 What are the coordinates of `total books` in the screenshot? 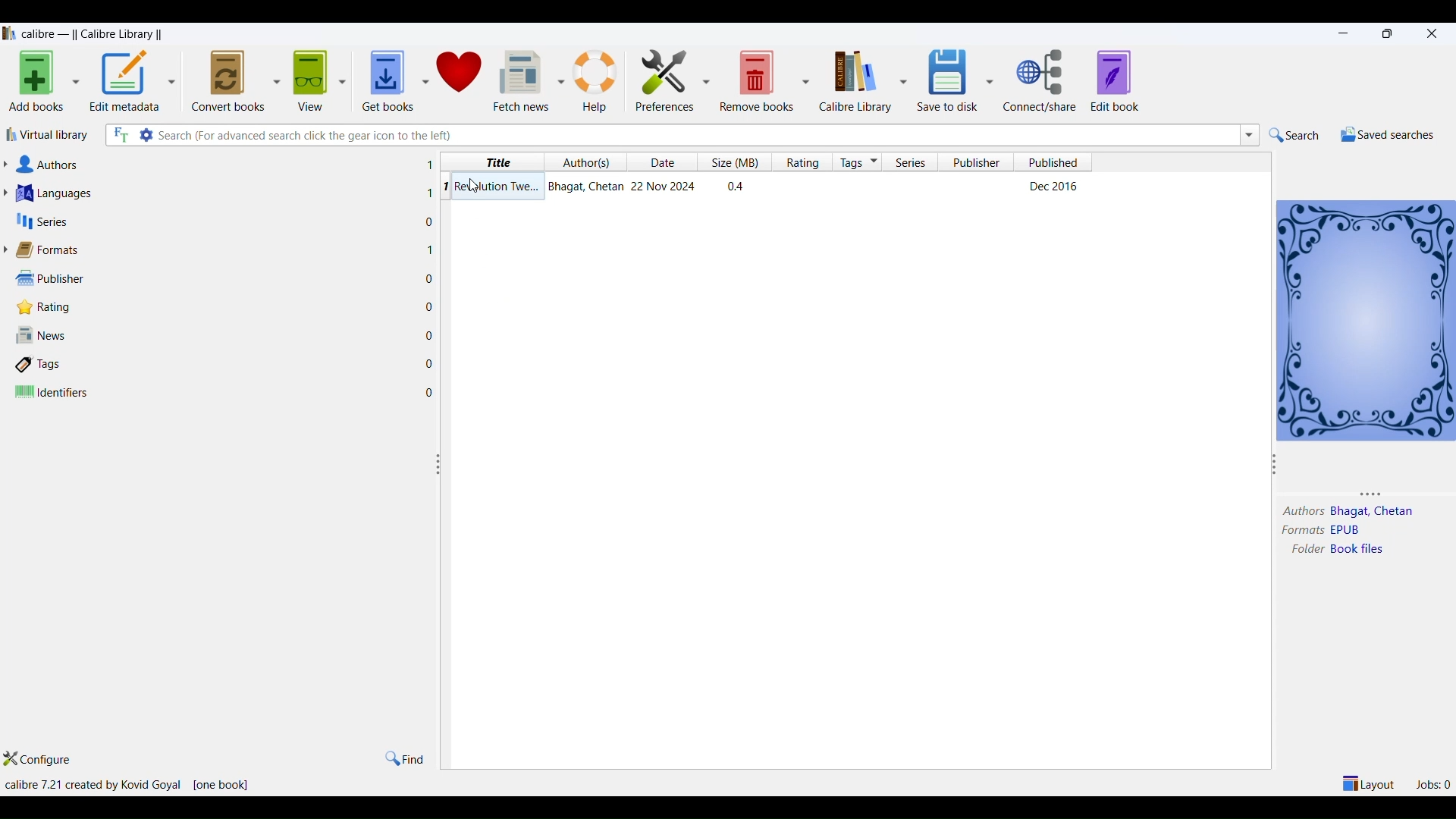 It's located at (227, 784).